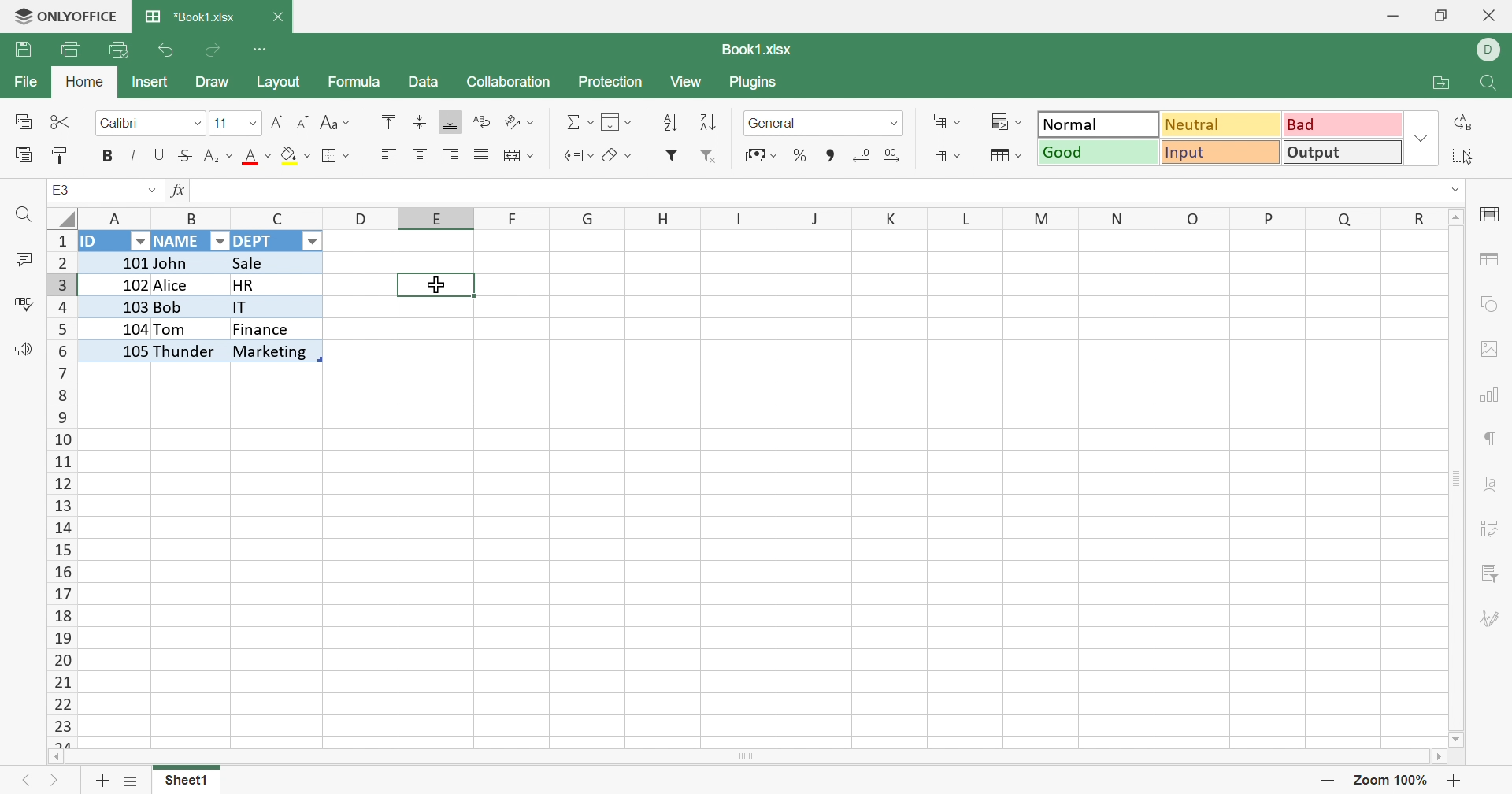 This screenshot has width=1512, height=794. Describe the element at coordinates (31, 784) in the screenshot. I see `Previous` at that location.